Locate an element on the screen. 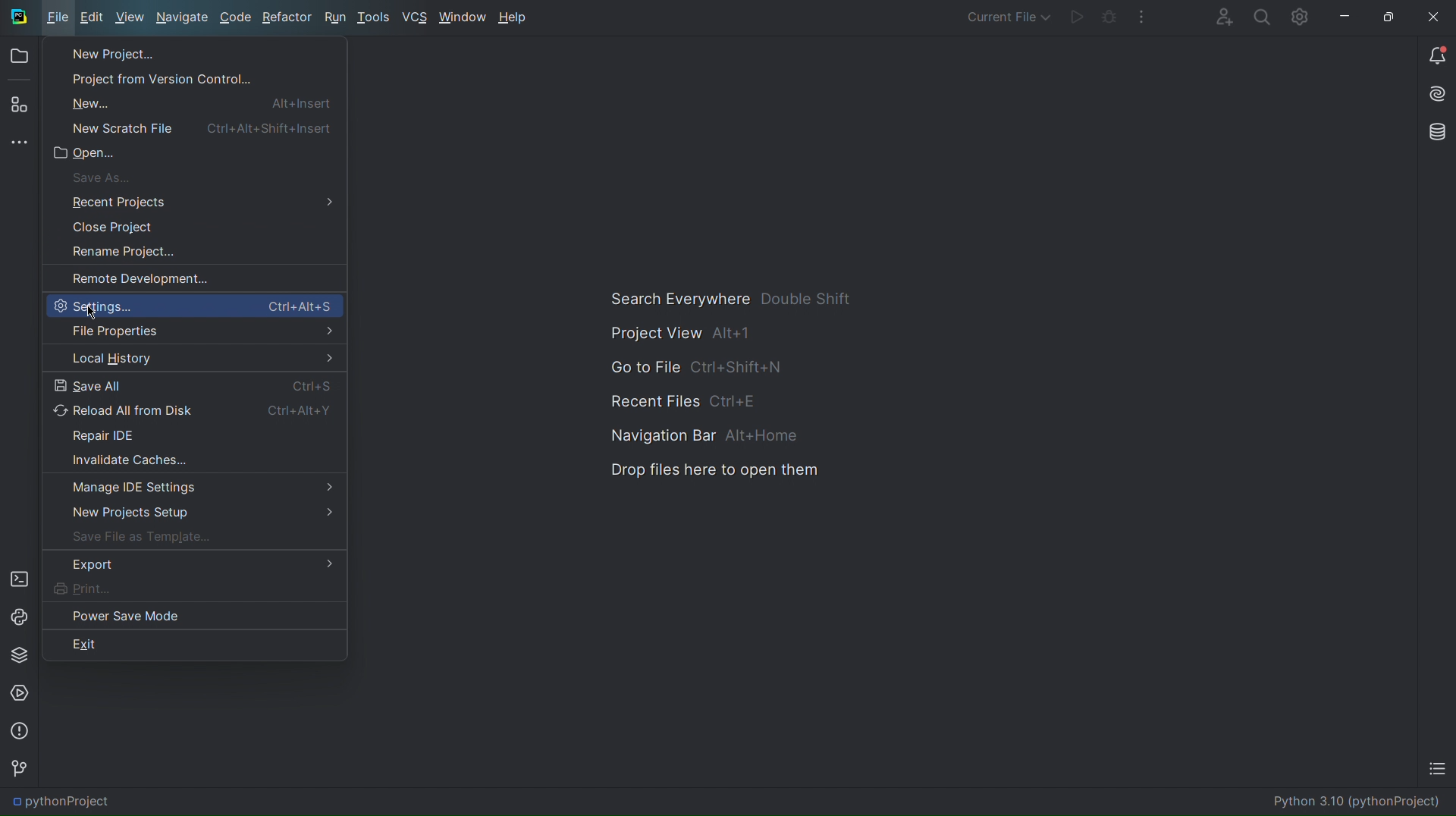 Image resolution: width=1456 pixels, height=816 pixels. Power Save Mode is located at coordinates (126, 616).